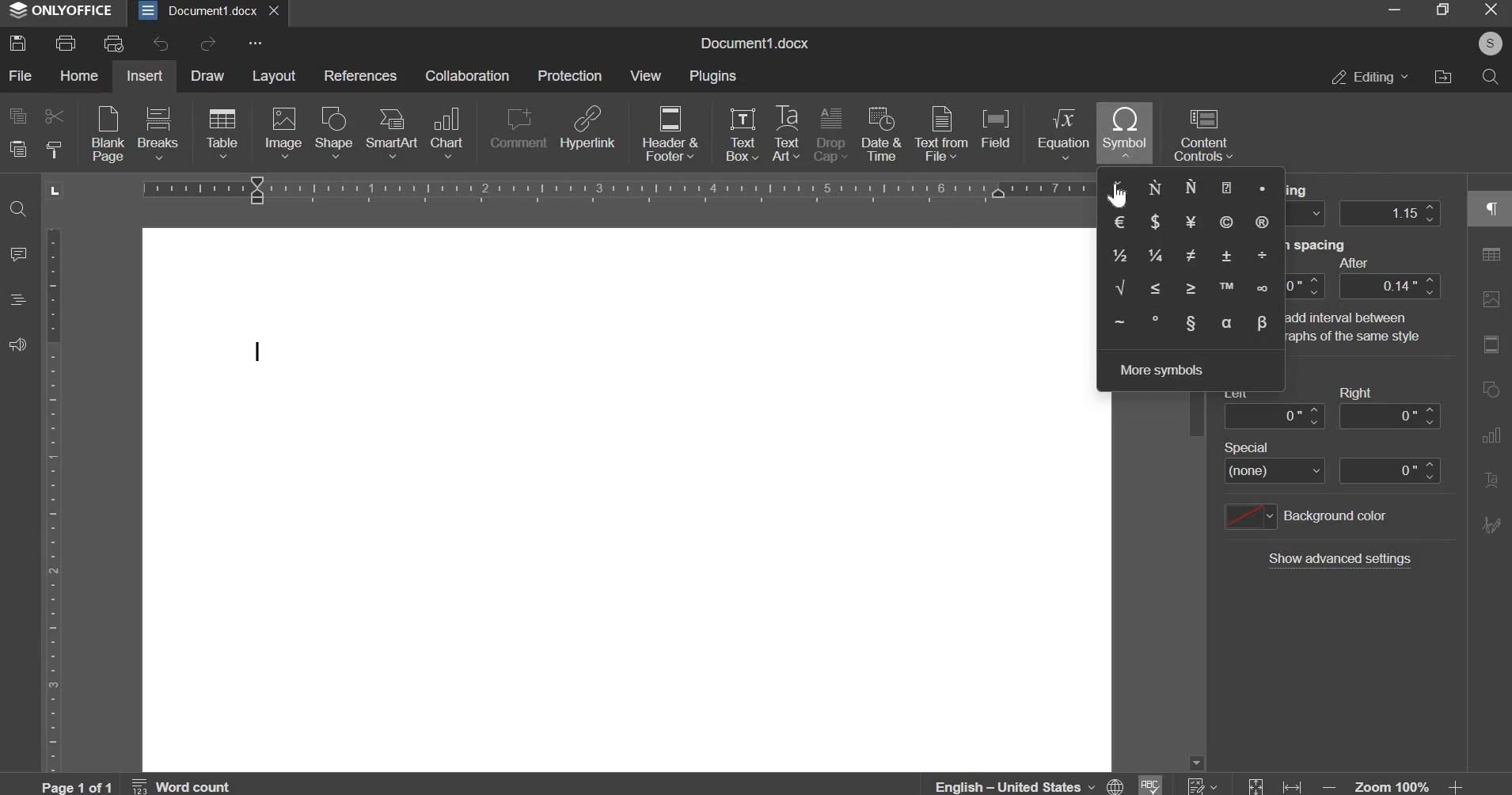  I want to click on text art, so click(786, 133).